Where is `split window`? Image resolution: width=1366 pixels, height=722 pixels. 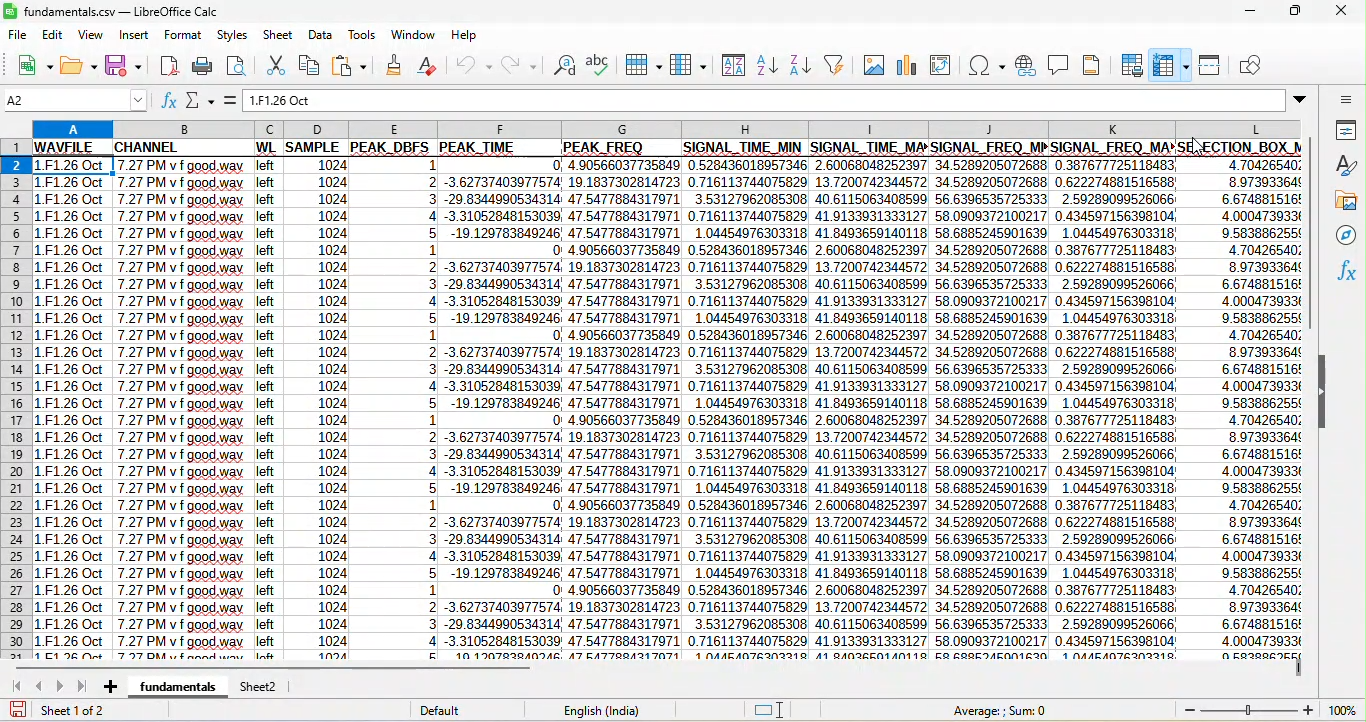
split window is located at coordinates (1216, 65).